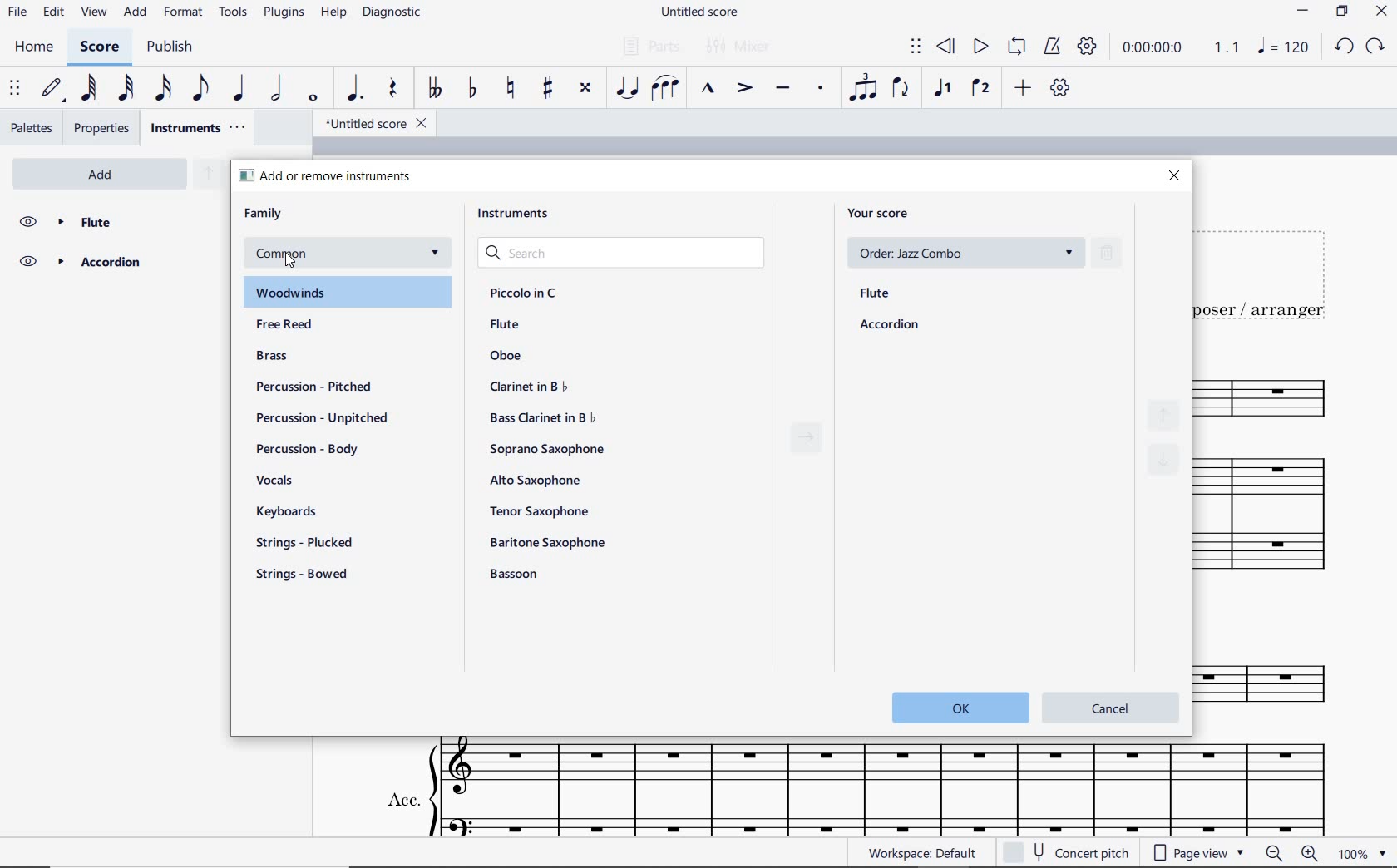  What do you see at coordinates (234, 12) in the screenshot?
I see `TOOLS` at bounding box center [234, 12].